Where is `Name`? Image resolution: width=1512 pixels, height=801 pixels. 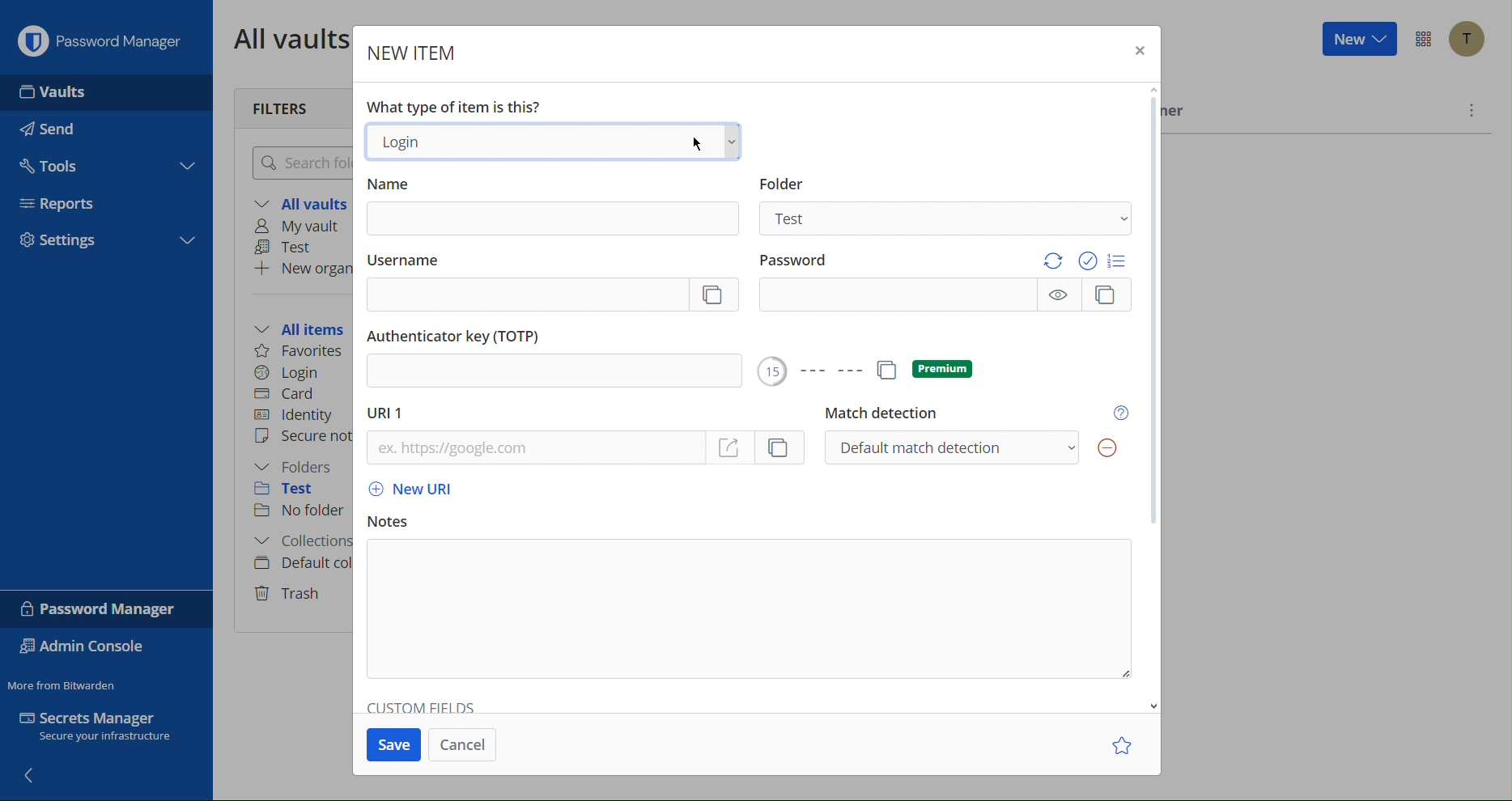
Name is located at coordinates (555, 220).